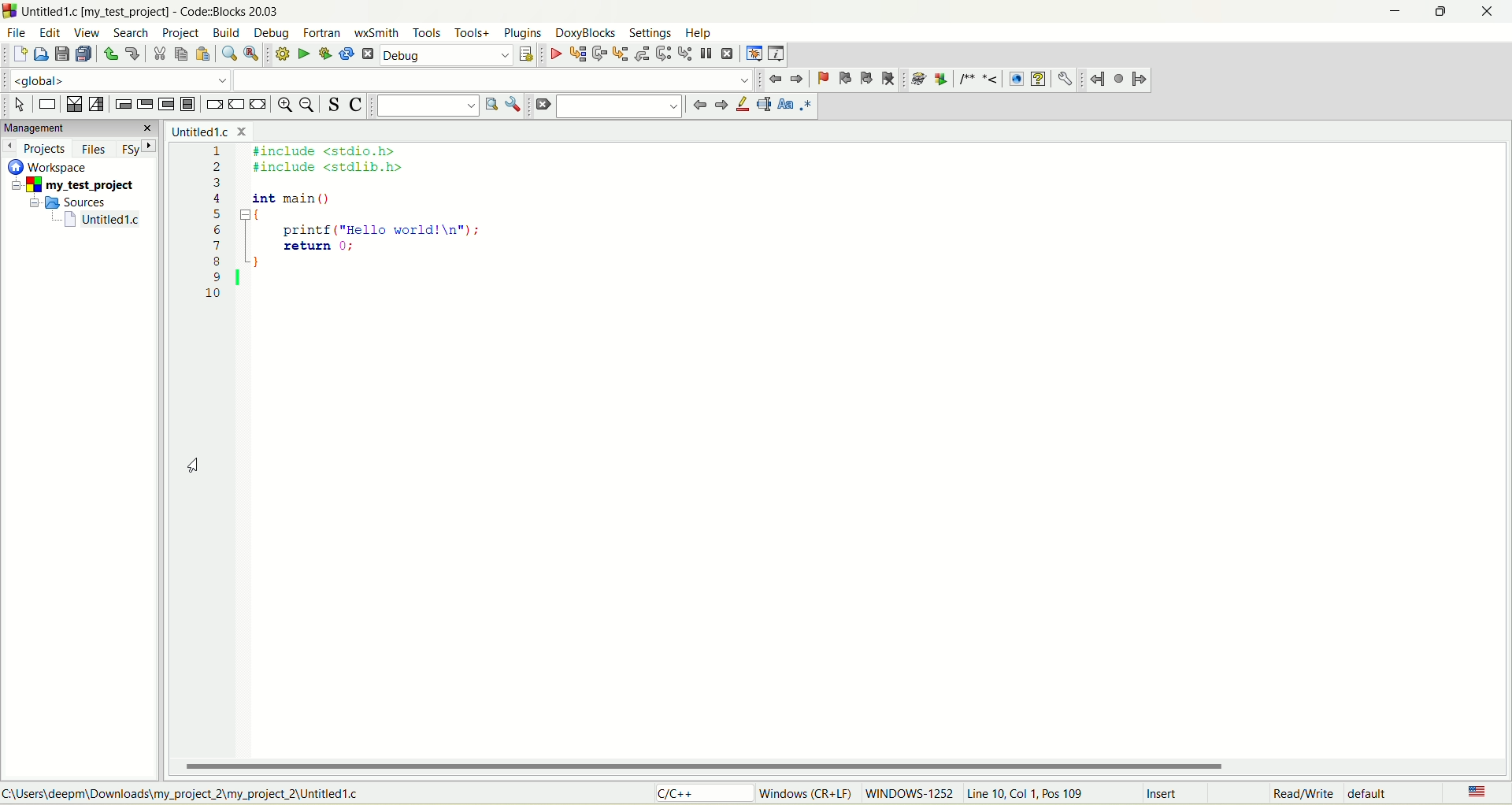 The width and height of the screenshot is (1512, 805). What do you see at coordinates (843, 79) in the screenshot?
I see `previous bookmark` at bounding box center [843, 79].